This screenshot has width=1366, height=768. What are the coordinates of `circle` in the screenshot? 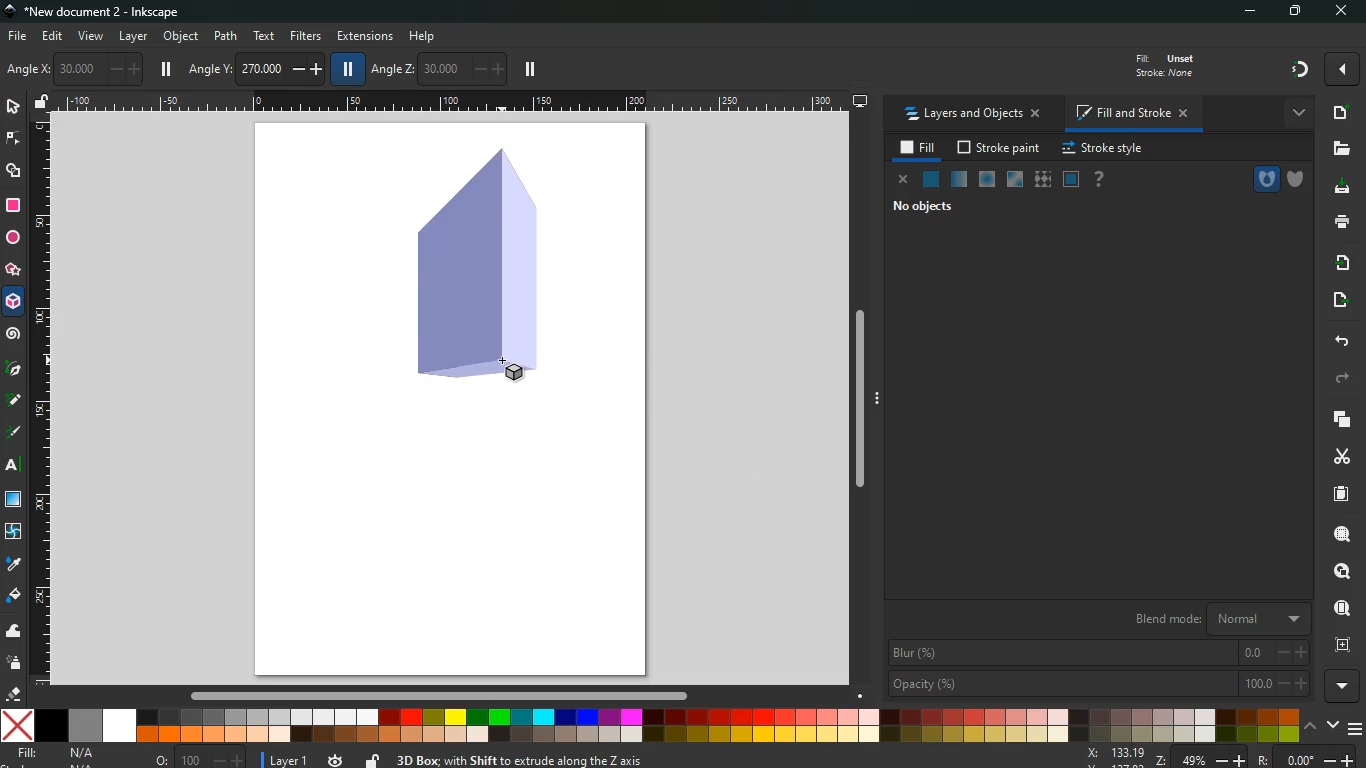 It's located at (13, 240).